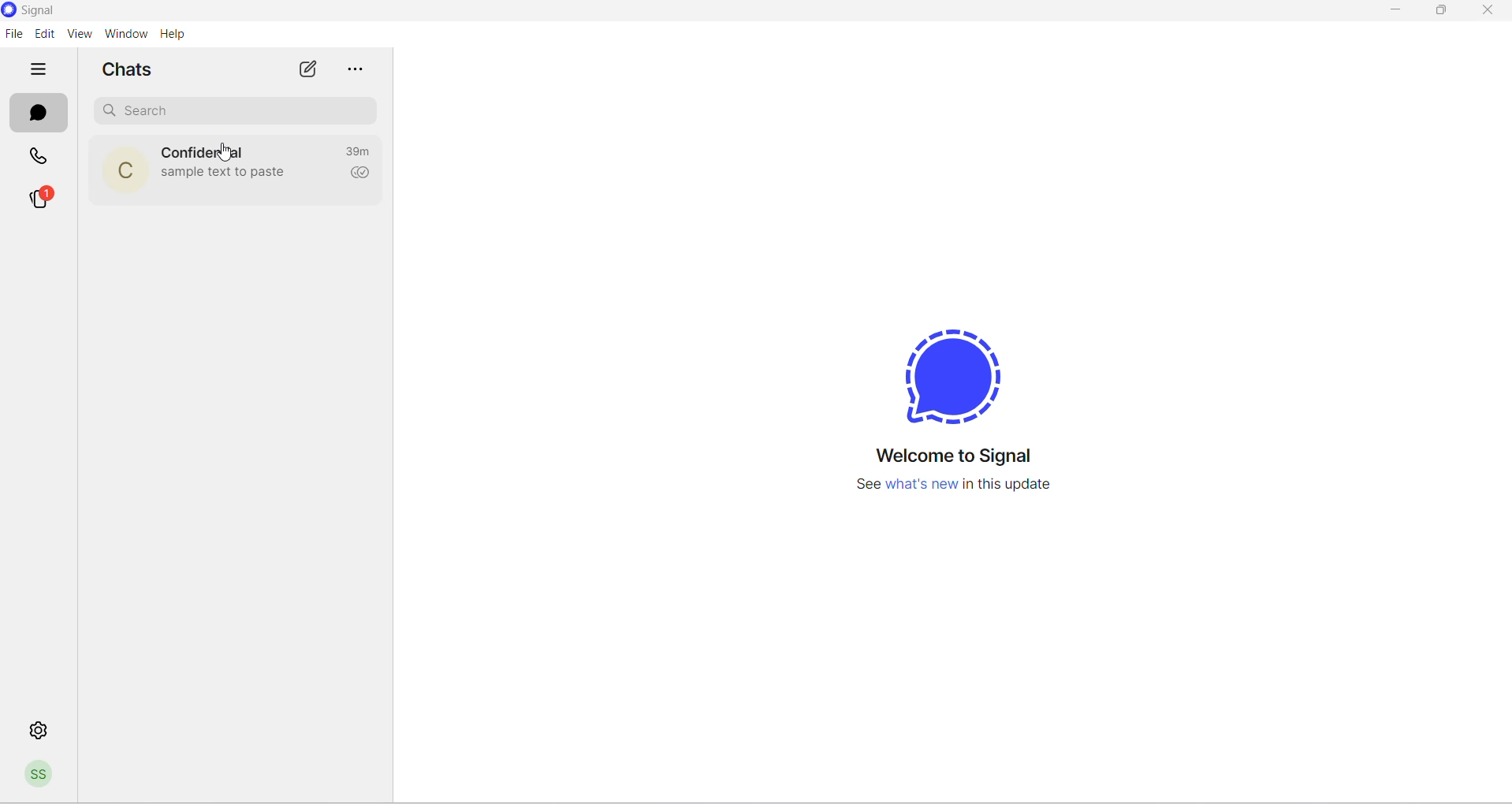  I want to click on view, so click(77, 35).